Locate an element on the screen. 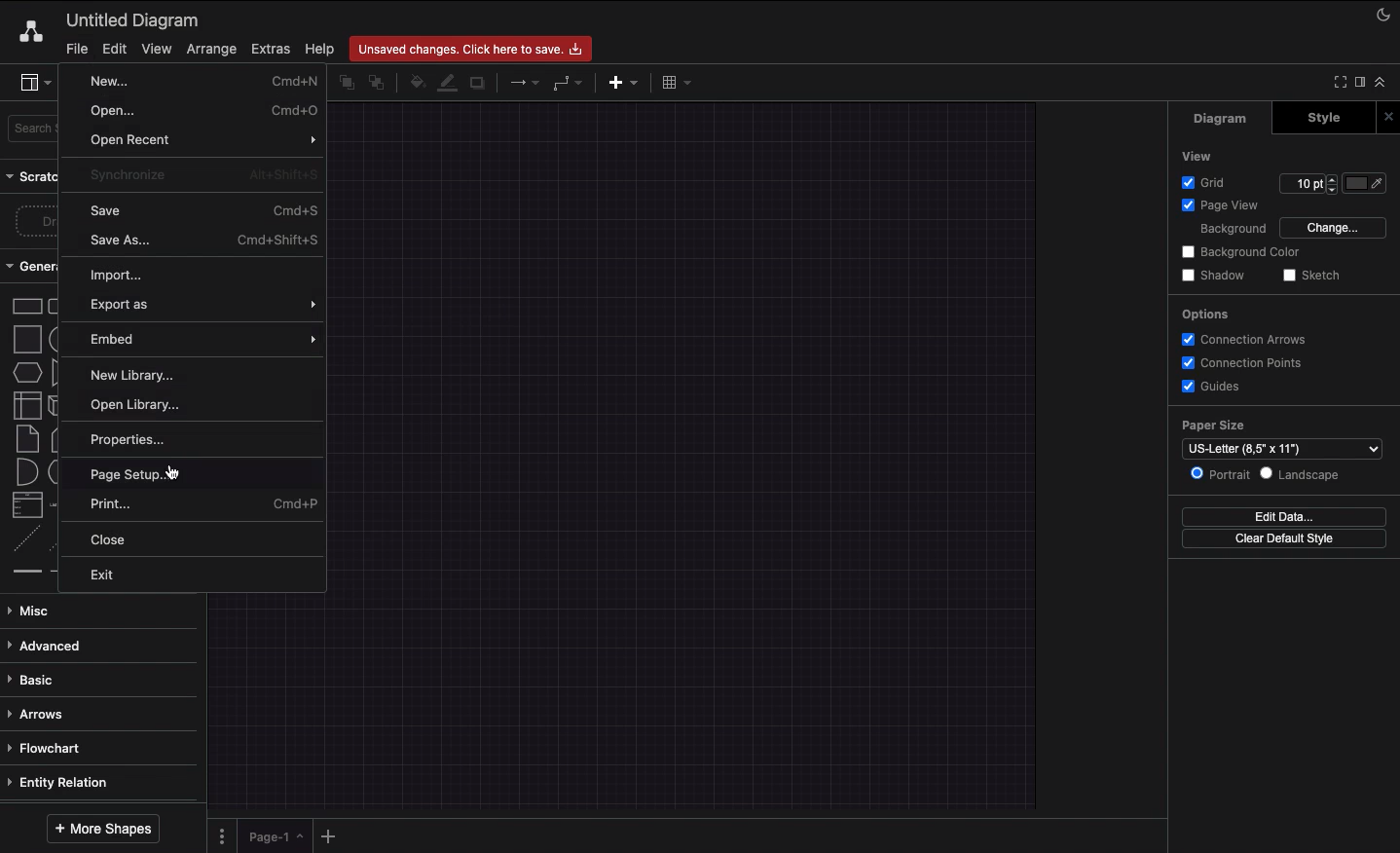 The width and height of the screenshot is (1400, 853). Pages is located at coordinates (218, 836).